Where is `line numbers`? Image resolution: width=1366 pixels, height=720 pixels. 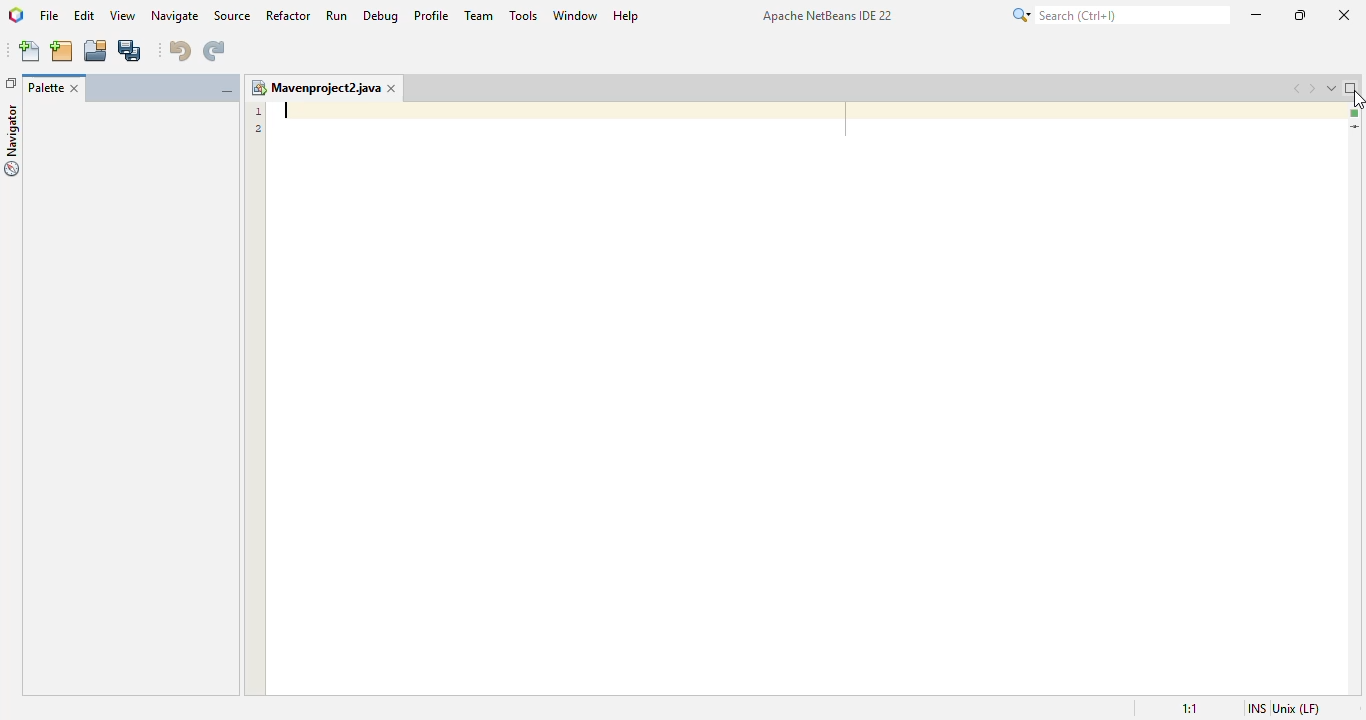
line numbers is located at coordinates (259, 120).